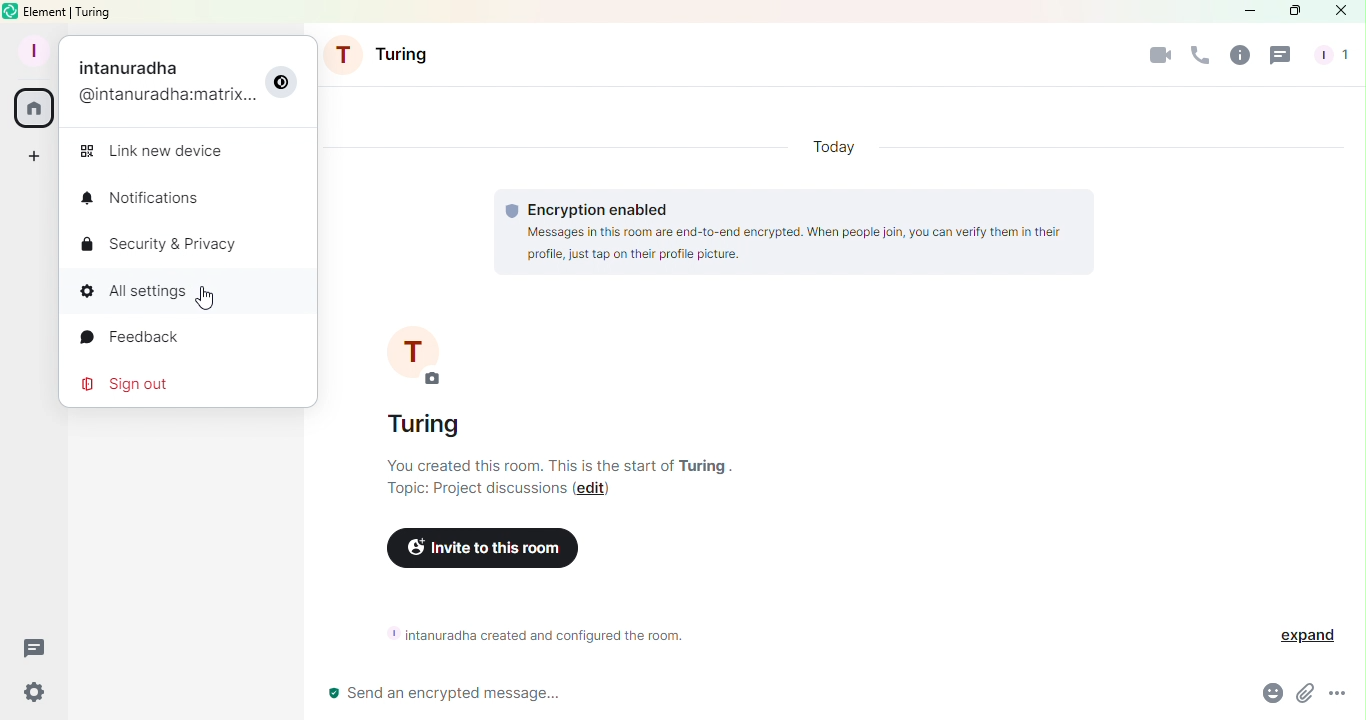 The width and height of the screenshot is (1366, 720). What do you see at coordinates (94, 11) in the screenshot?
I see `turing` at bounding box center [94, 11].